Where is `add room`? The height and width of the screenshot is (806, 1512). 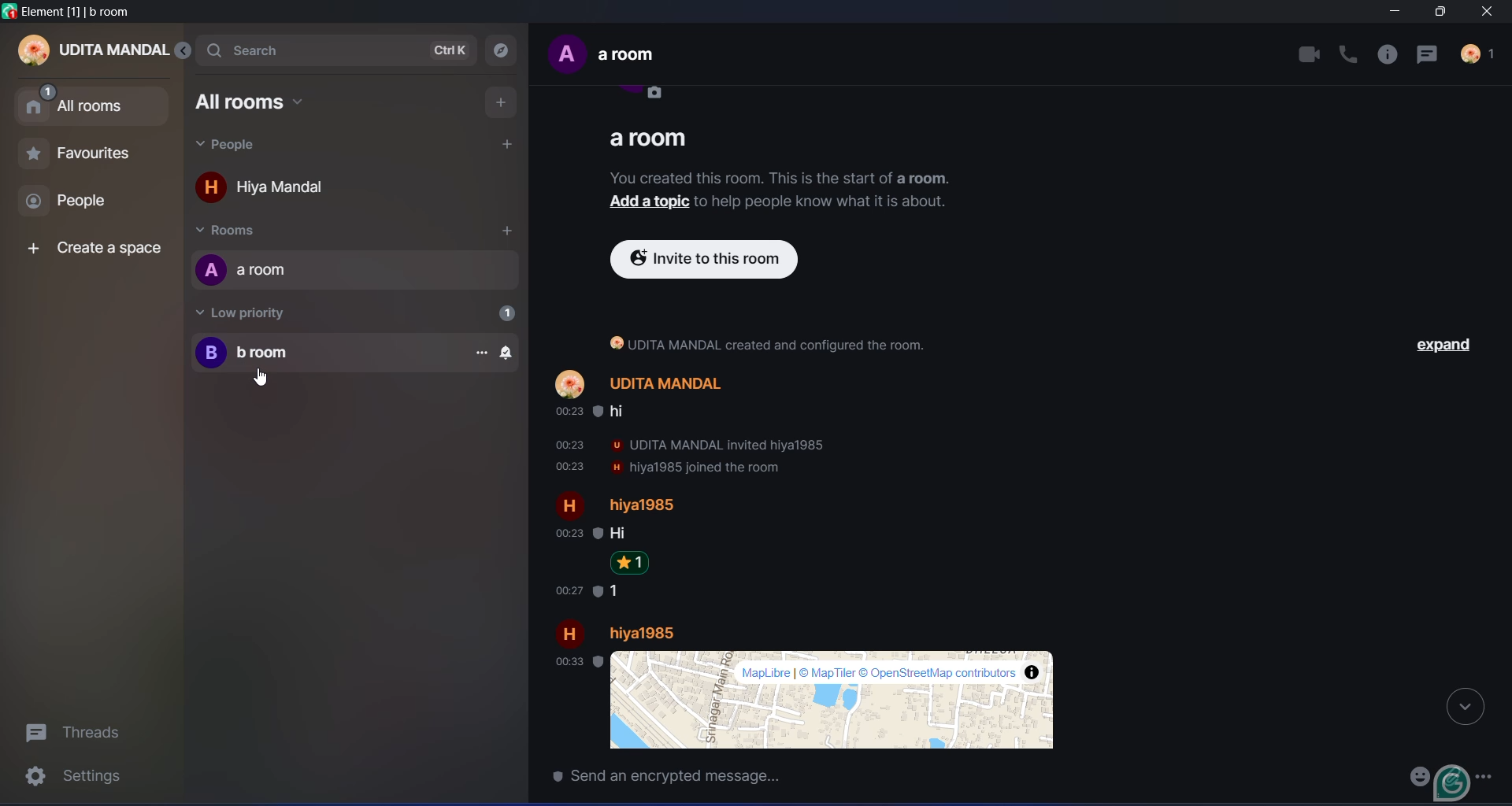
add room is located at coordinates (498, 102).